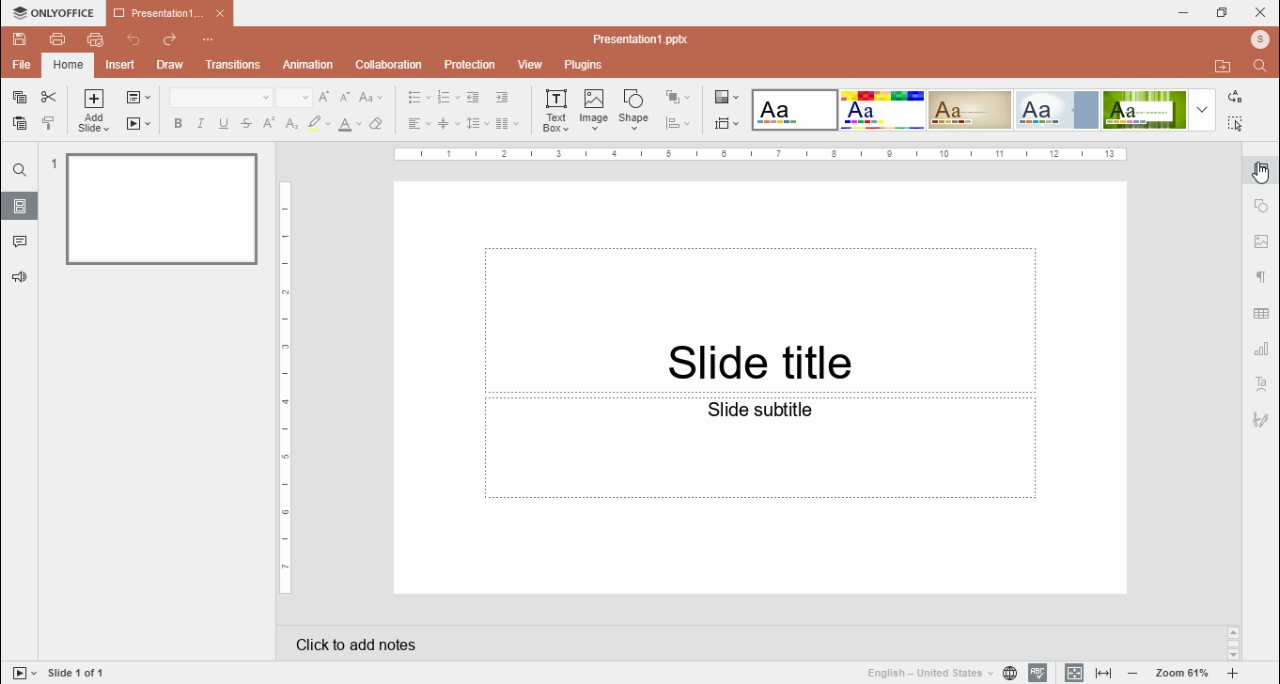  Describe the element at coordinates (927, 673) in the screenshot. I see `language` at that location.